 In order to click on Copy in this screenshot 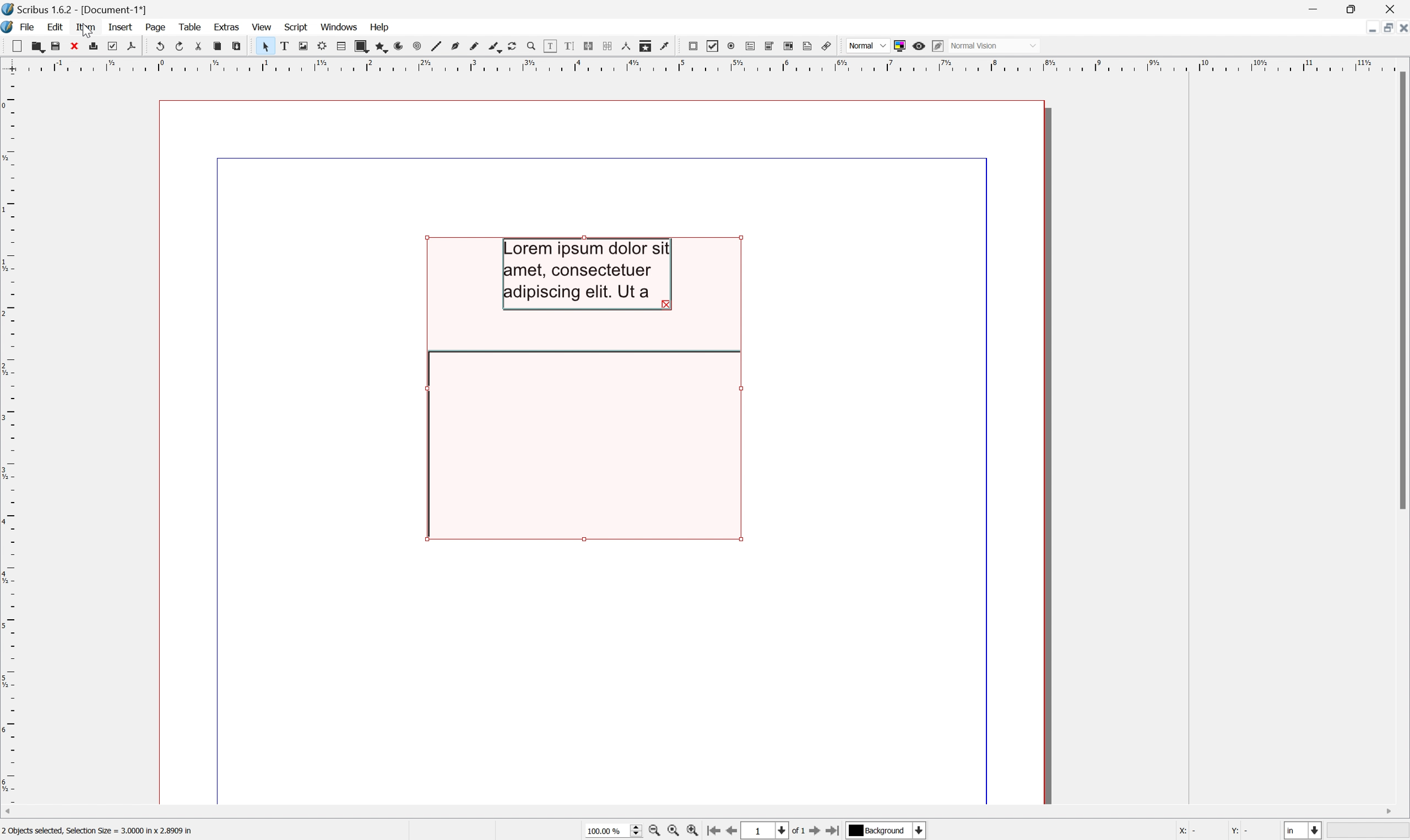, I will do `click(218, 46)`.